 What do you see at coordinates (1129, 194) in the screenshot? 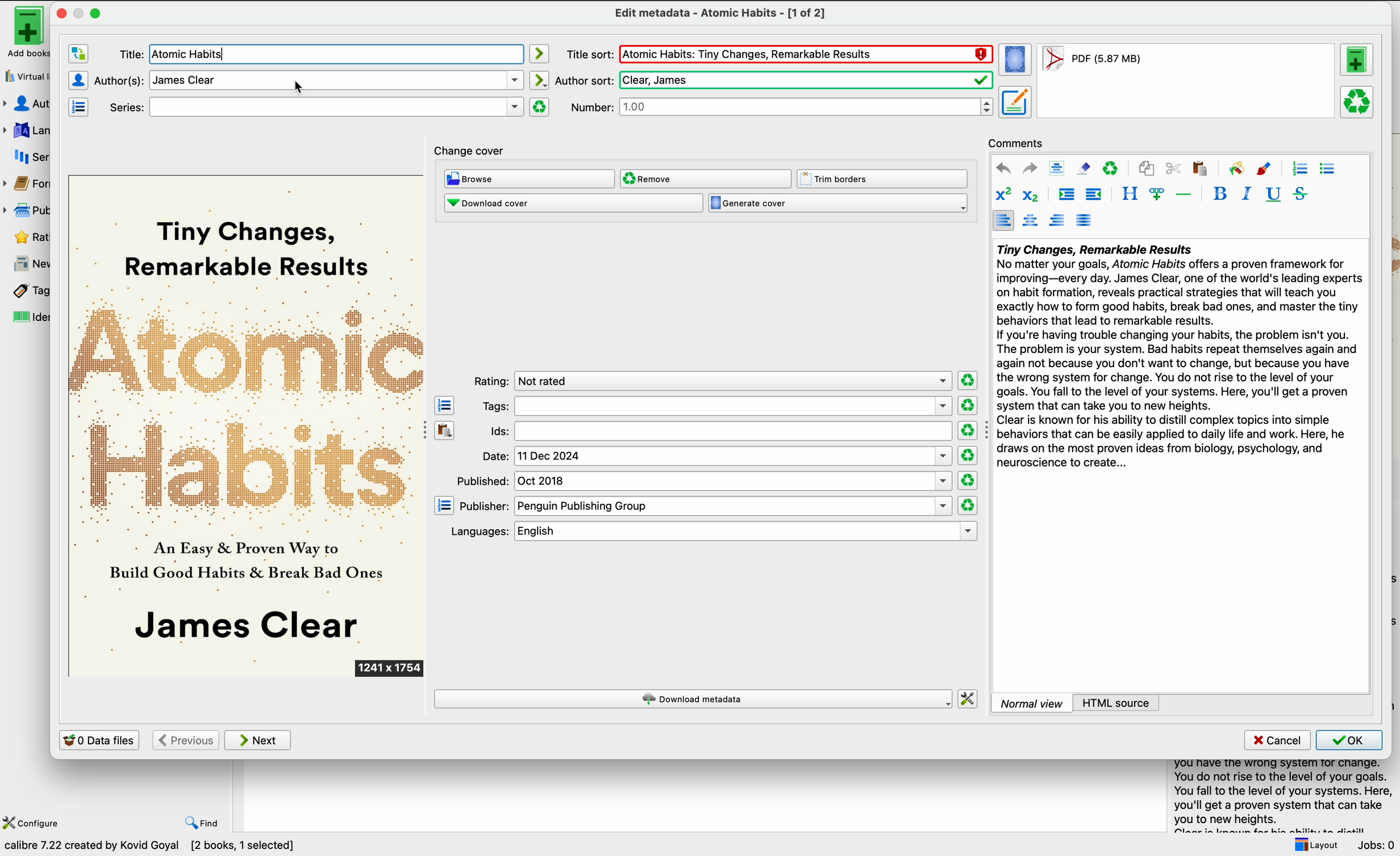
I see `style the selected text block` at bounding box center [1129, 194].